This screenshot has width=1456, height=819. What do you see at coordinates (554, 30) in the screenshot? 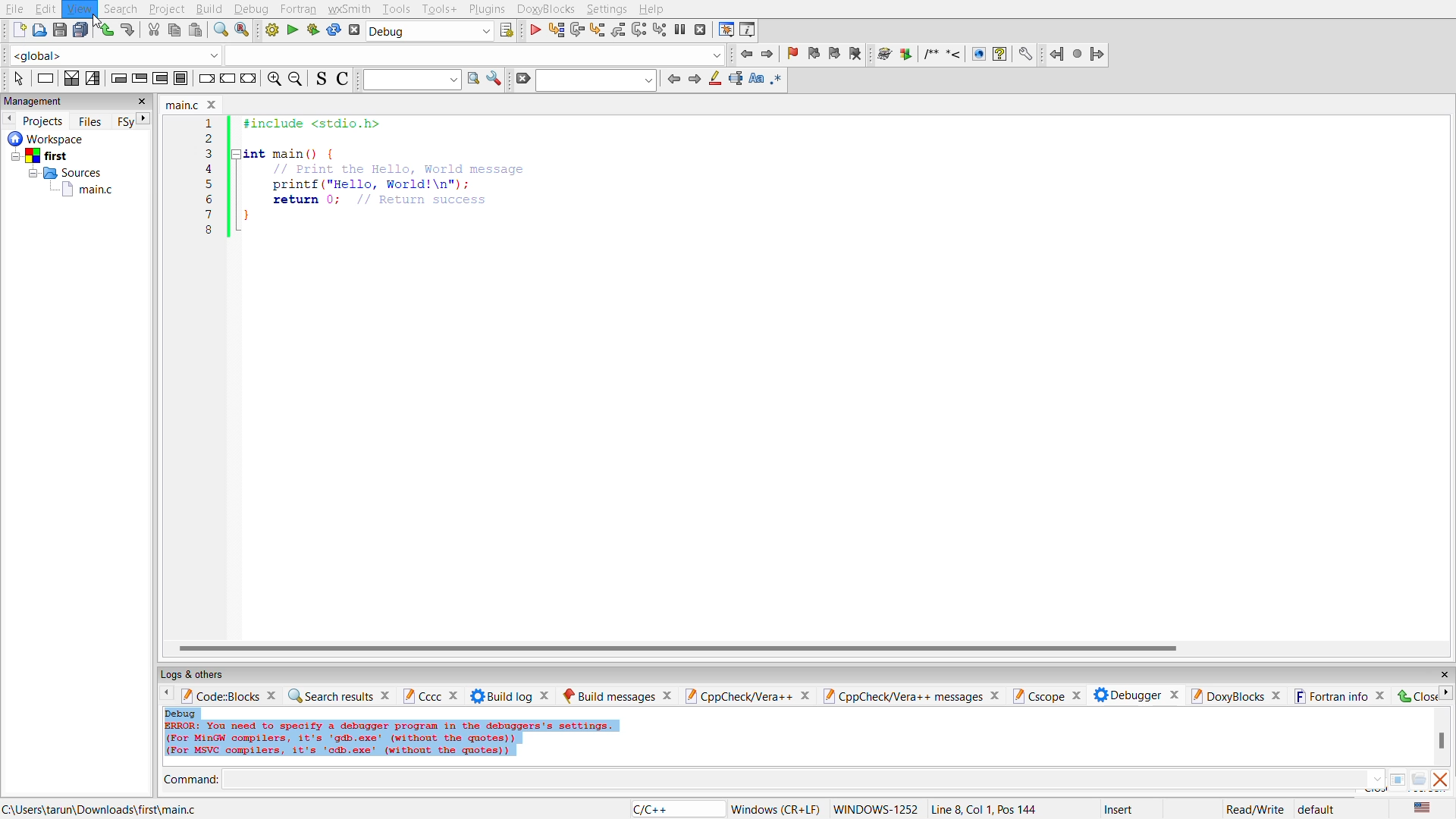
I see `run to cursor` at bounding box center [554, 30].